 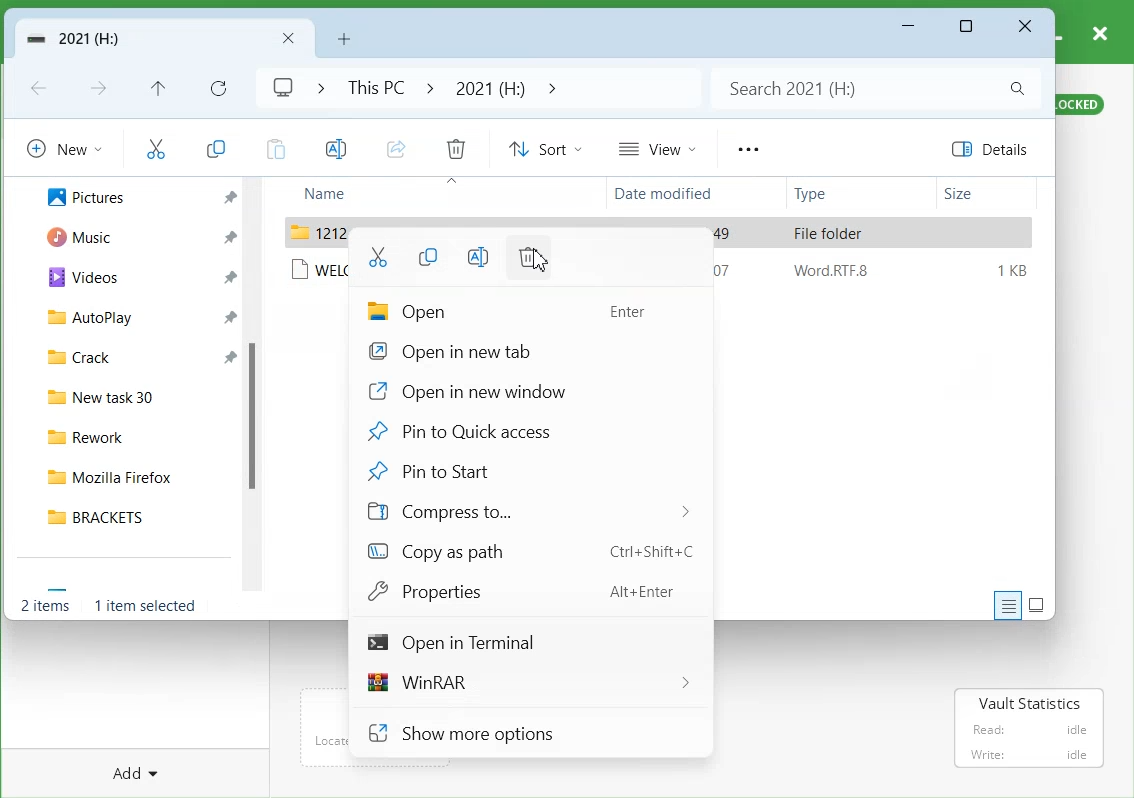 What do you see at coordinates (229, 275) in the screenshot?
I see `Pin a file` at bounding box center [229, 275].